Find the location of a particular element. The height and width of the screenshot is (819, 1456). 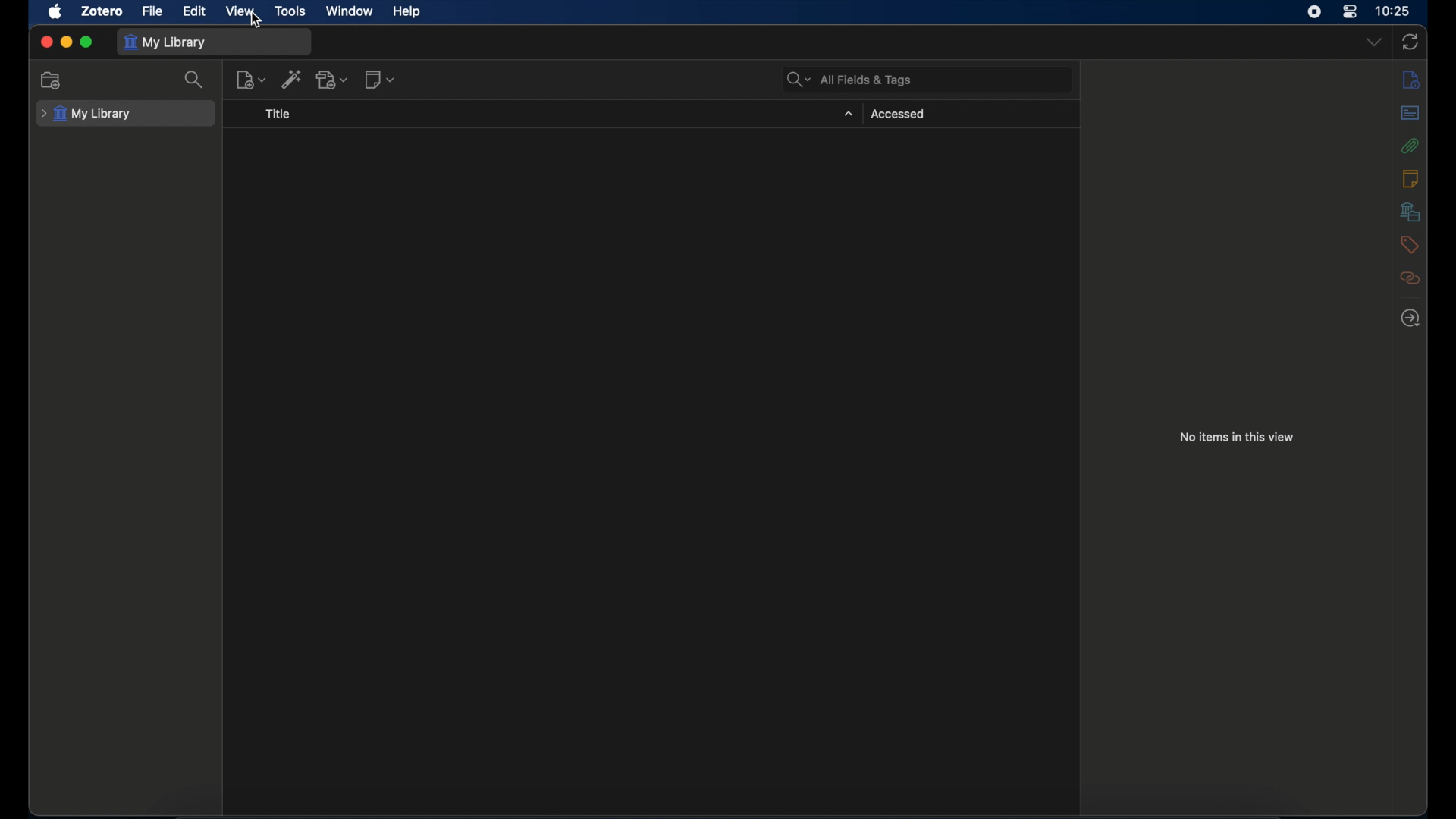

cursor is located at coordinates (256, 22).